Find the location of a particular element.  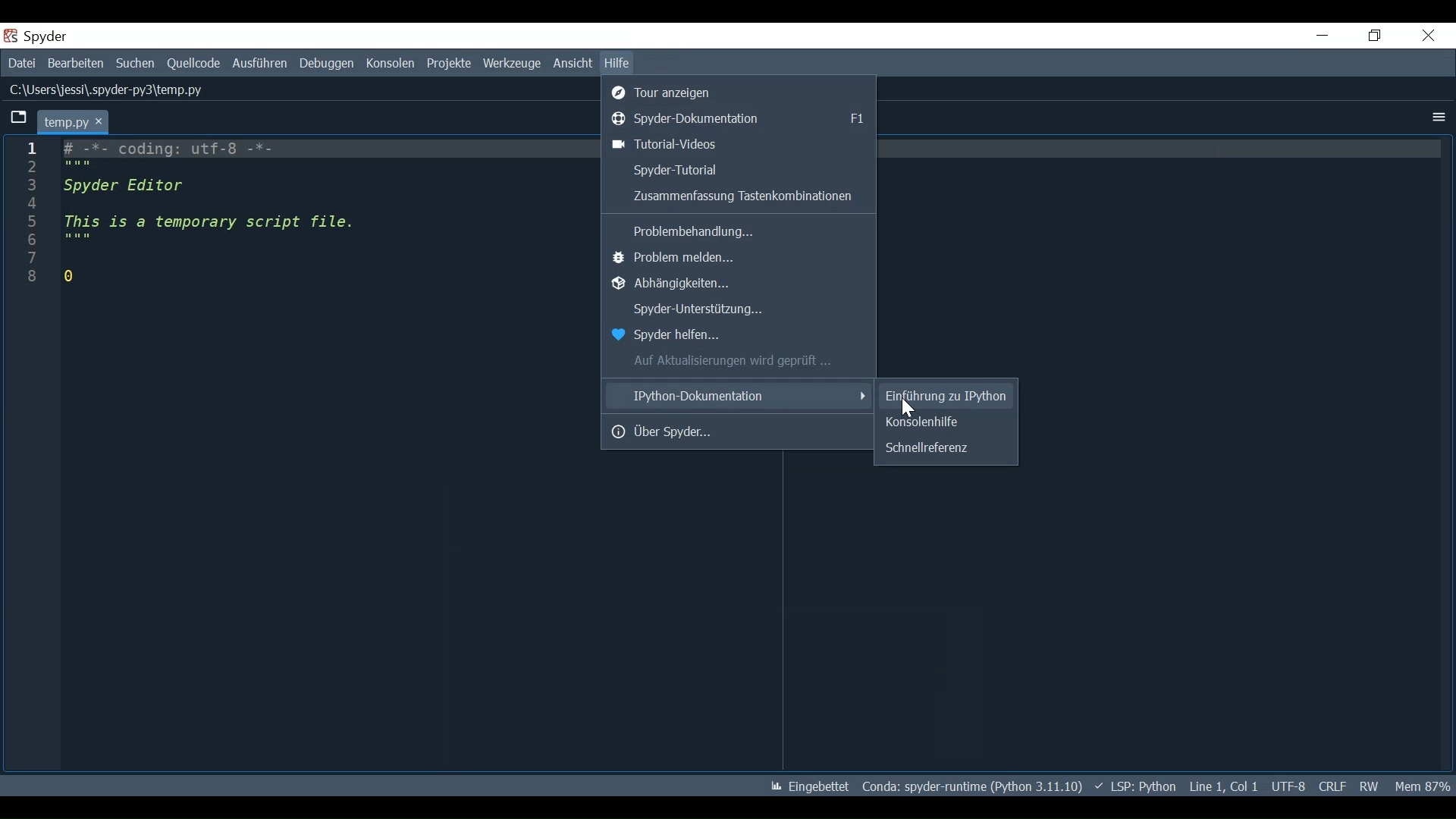

Close is located at coordinates (1429, 36).